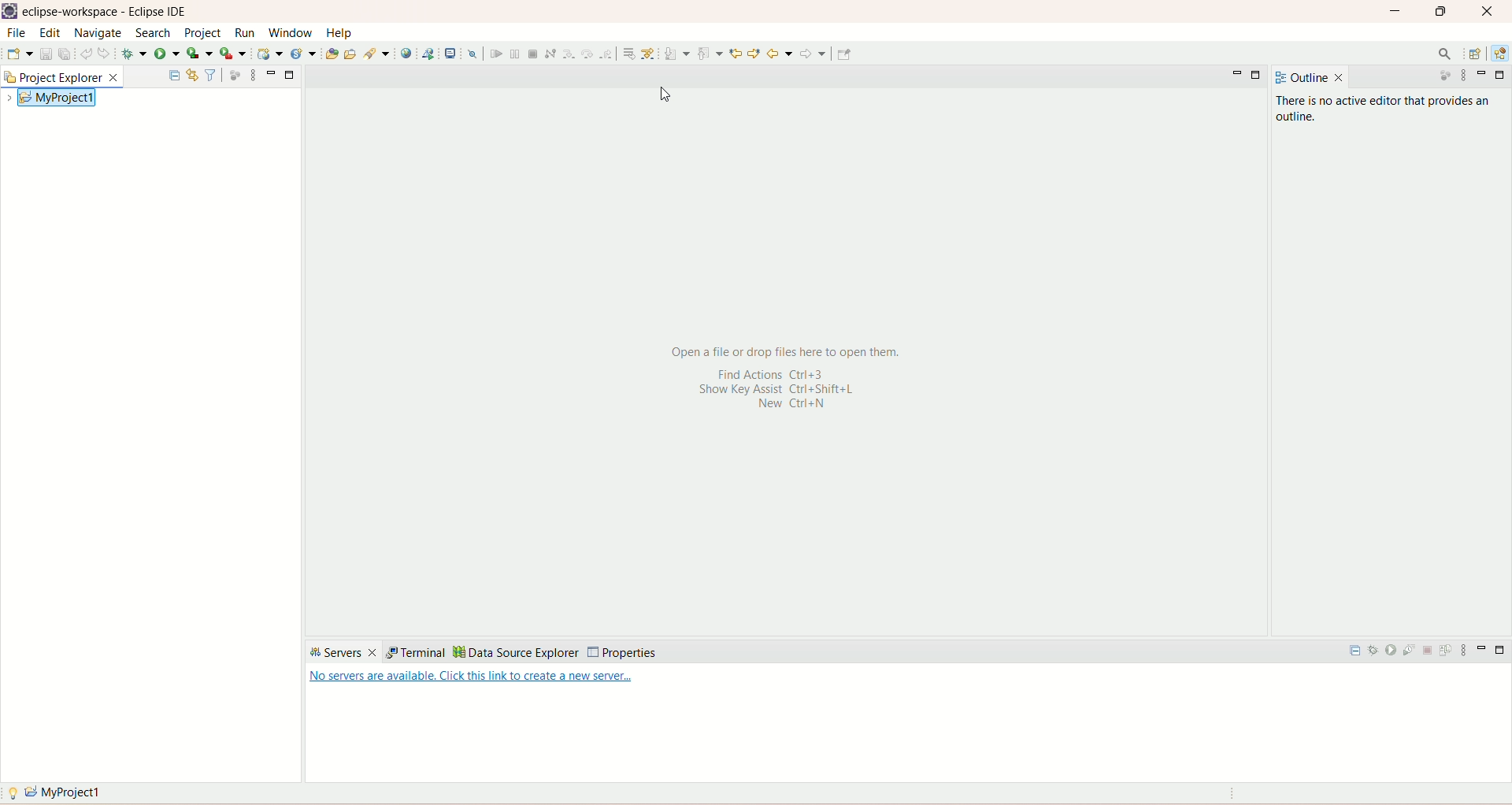 The height and width of the screenshot is (805, 1512). What do you see at coordinates (251, 75) in the screenshot?
I see `view menu` at bounding box center [251, 75].